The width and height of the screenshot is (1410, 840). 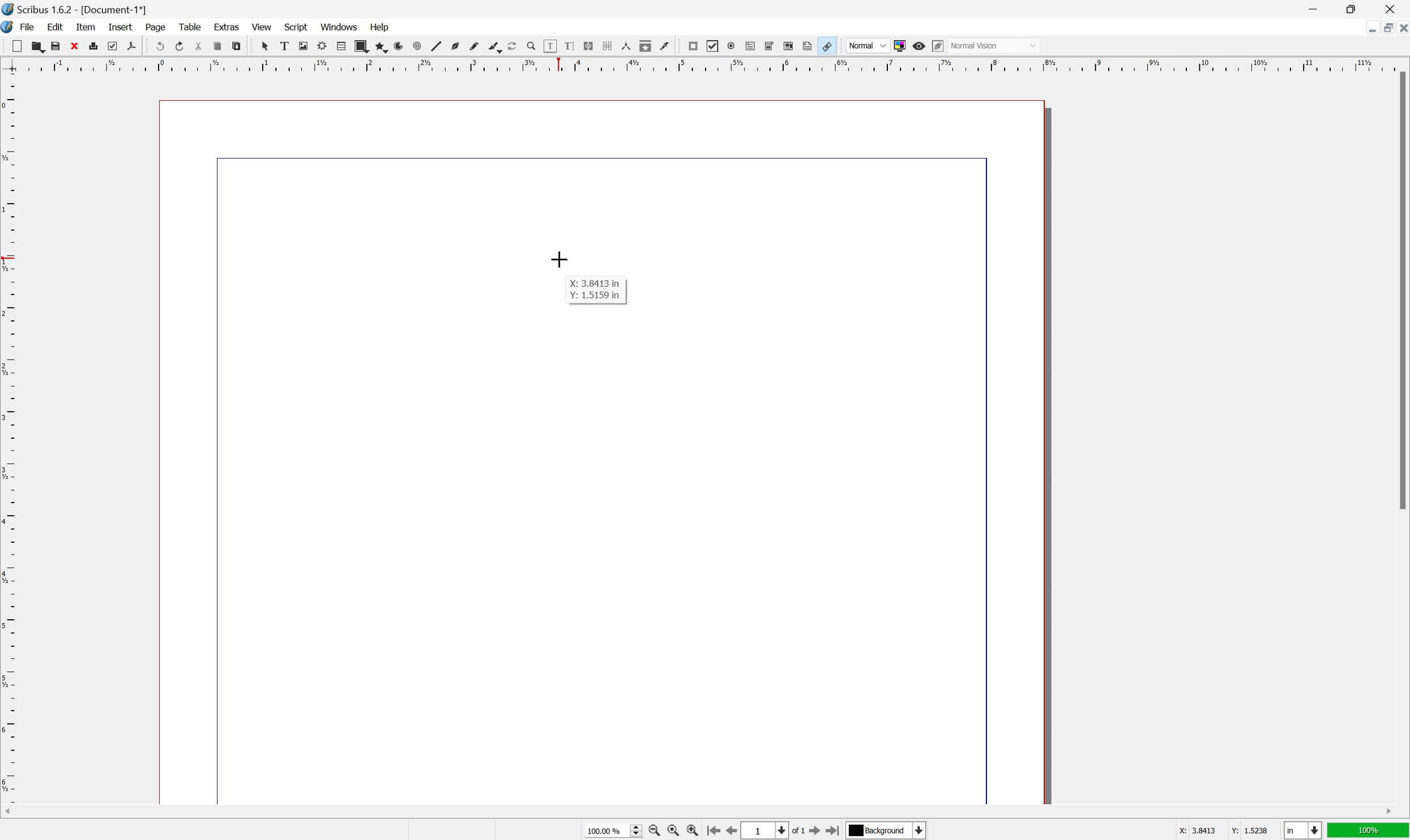 I want to click on windows, so click(x=339, y=26).